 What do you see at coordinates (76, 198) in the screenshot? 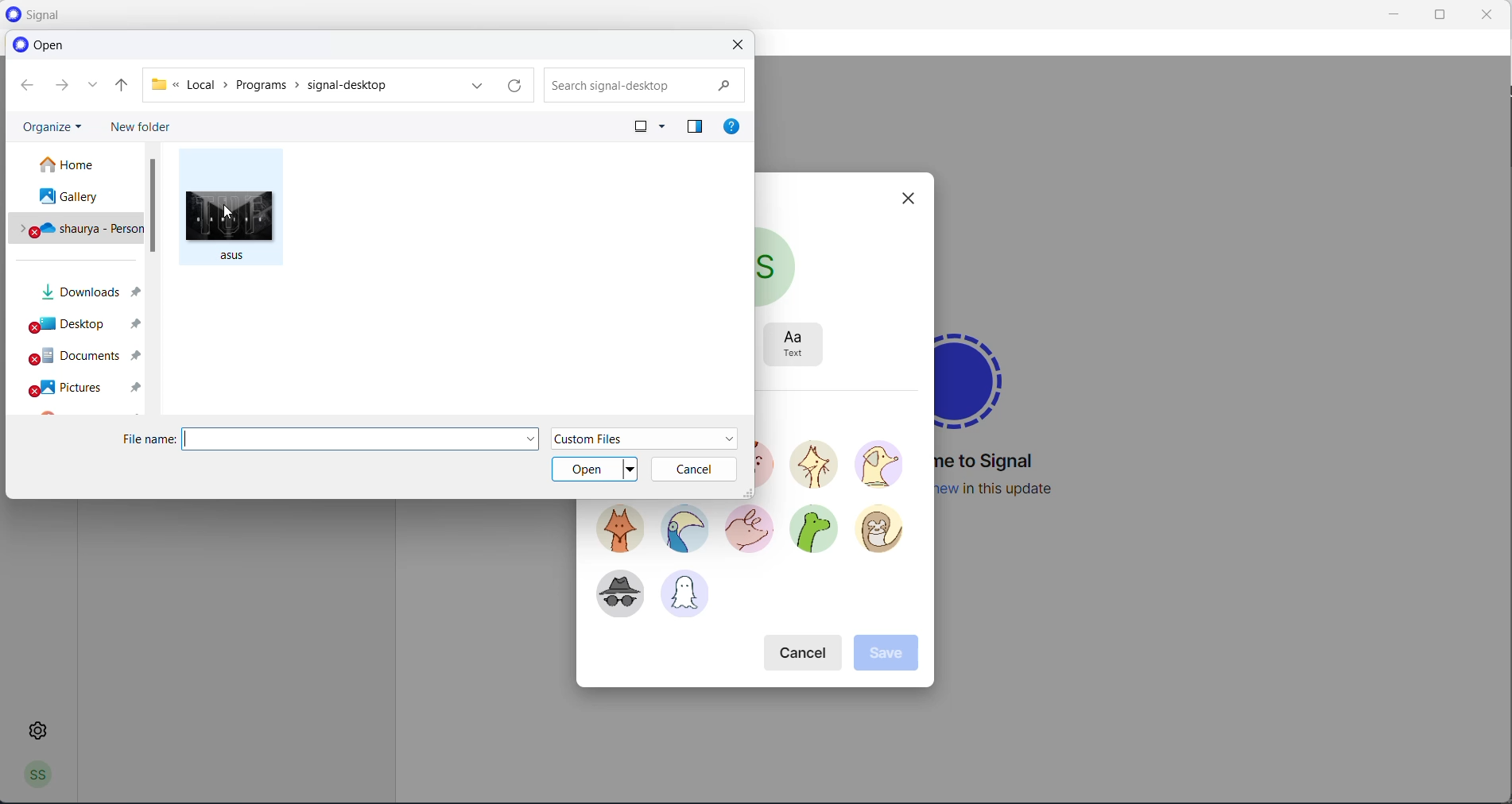
I see `gallery` at bounding box center [76, 198].